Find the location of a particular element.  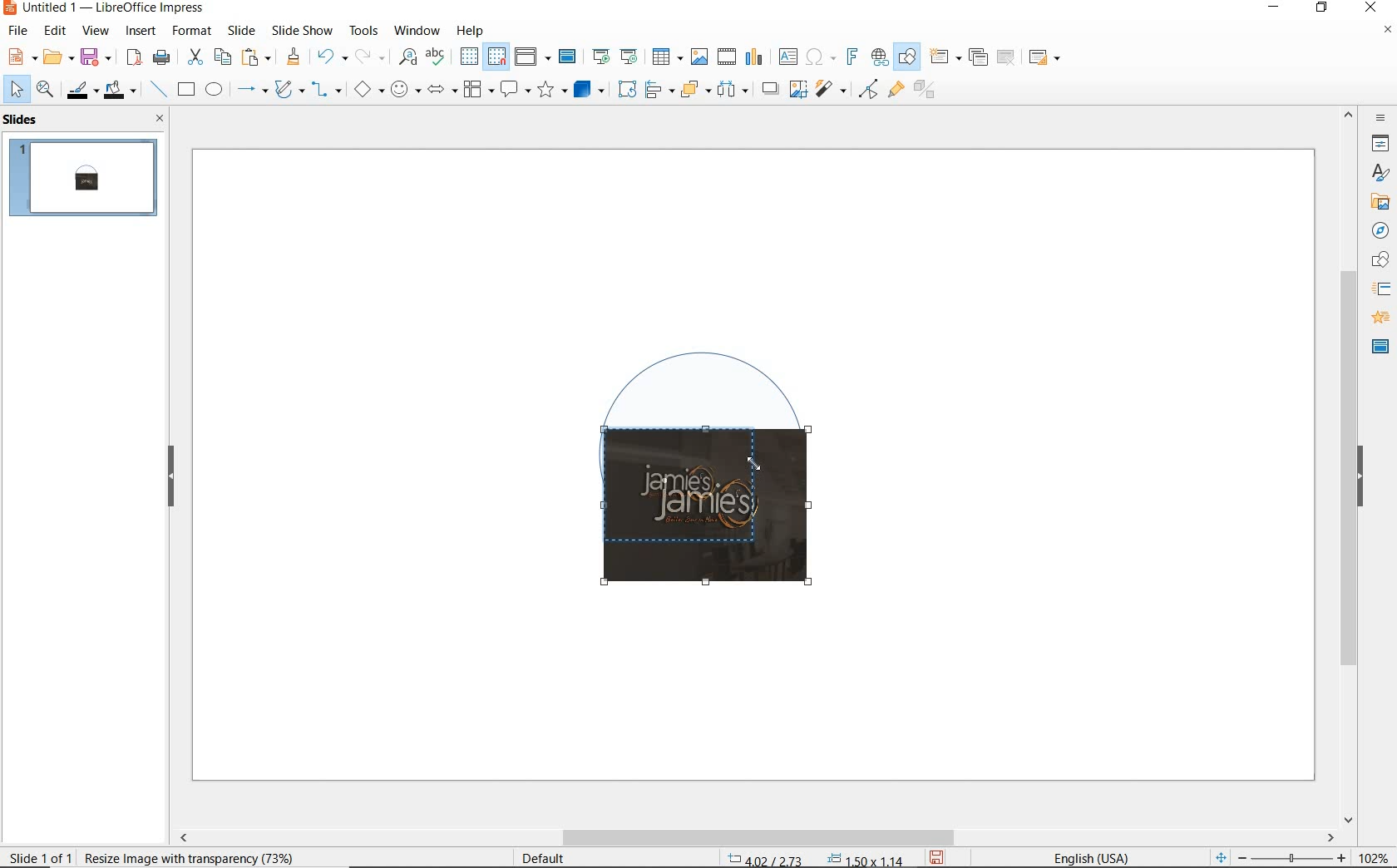

redo is located at coordinates (369, 57).